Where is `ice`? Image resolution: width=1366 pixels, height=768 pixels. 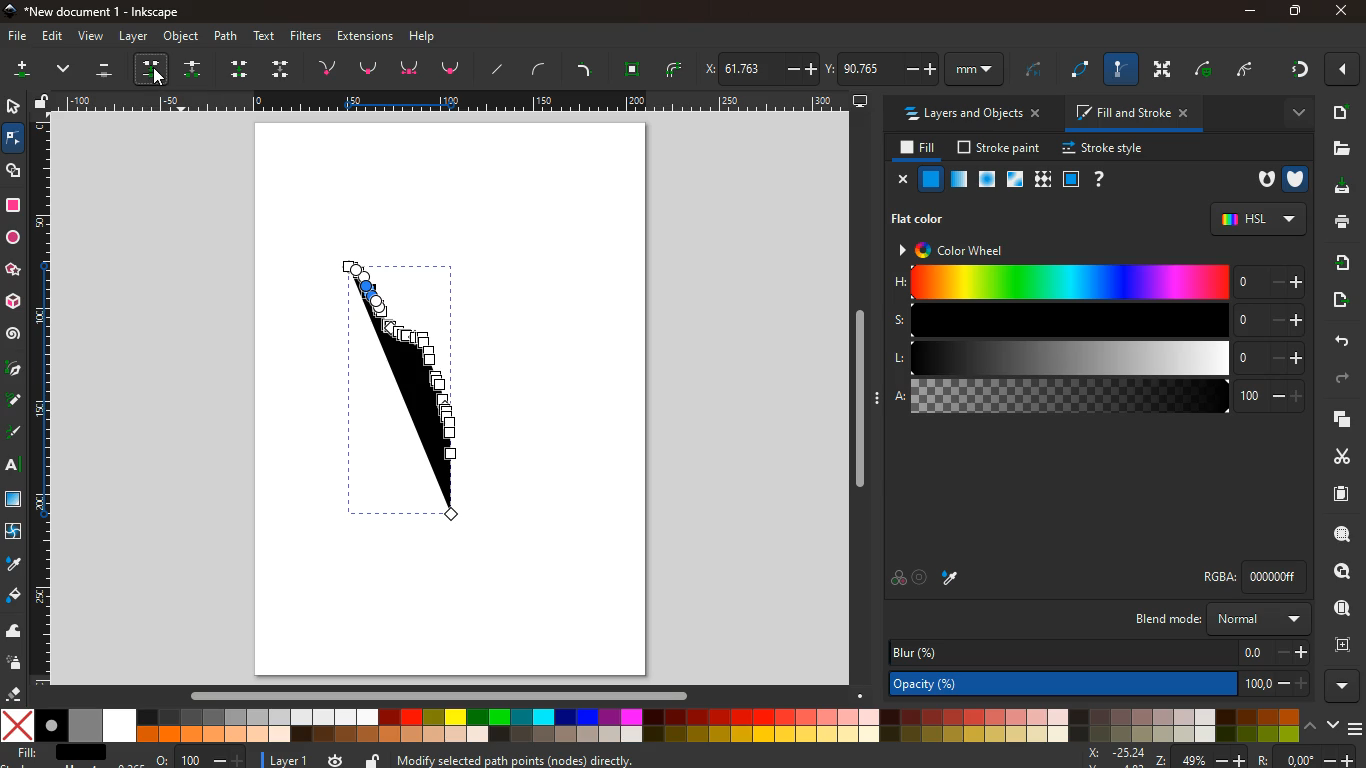
ice is located at coordinates (989, 180).